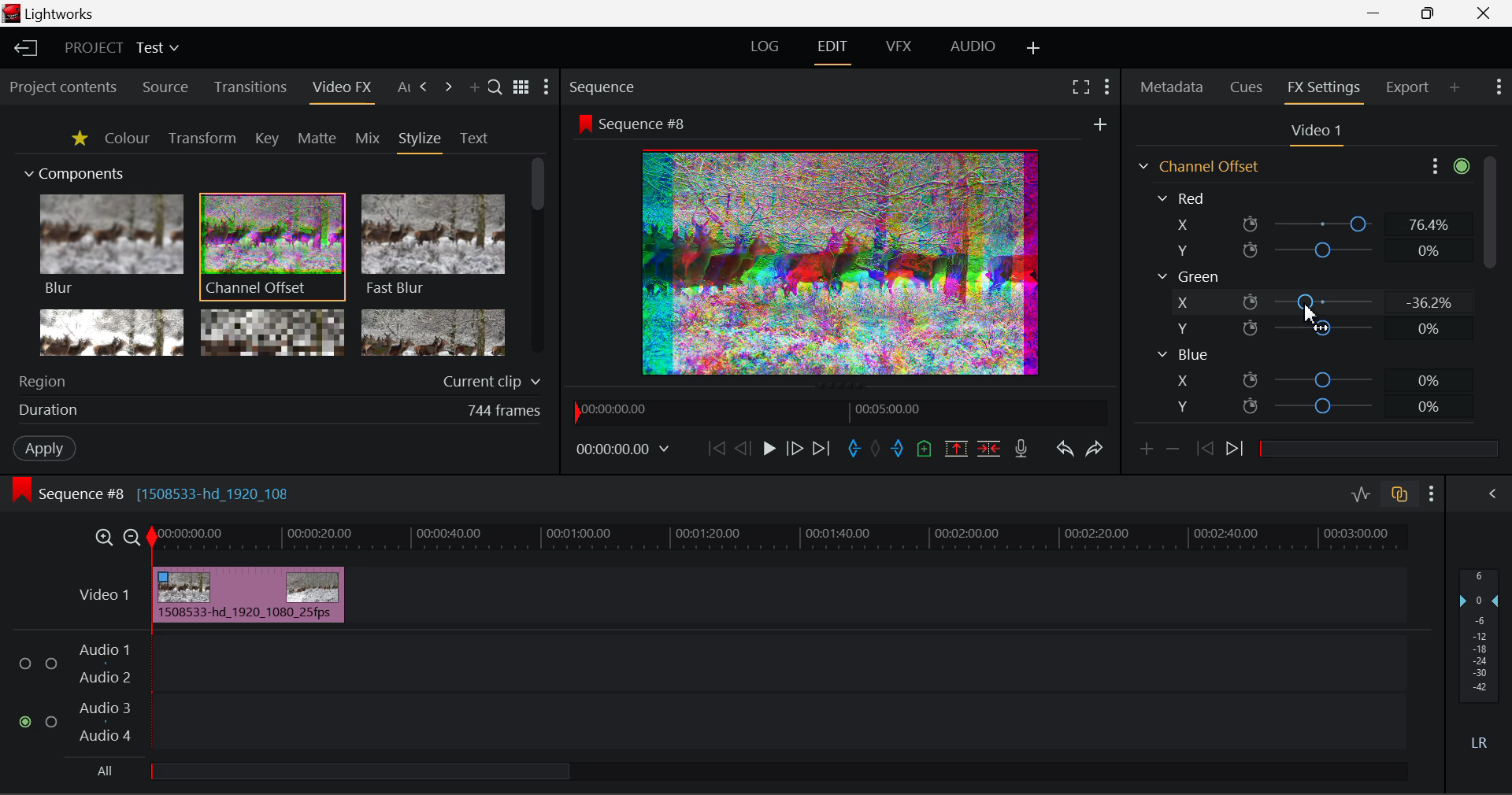 The height and width of the screenshot is (795, 1512). What do you see at coordinates (134, 539) in the screenshot?
I see `Timeline Zoom Out` at bounding box center [134, 539].